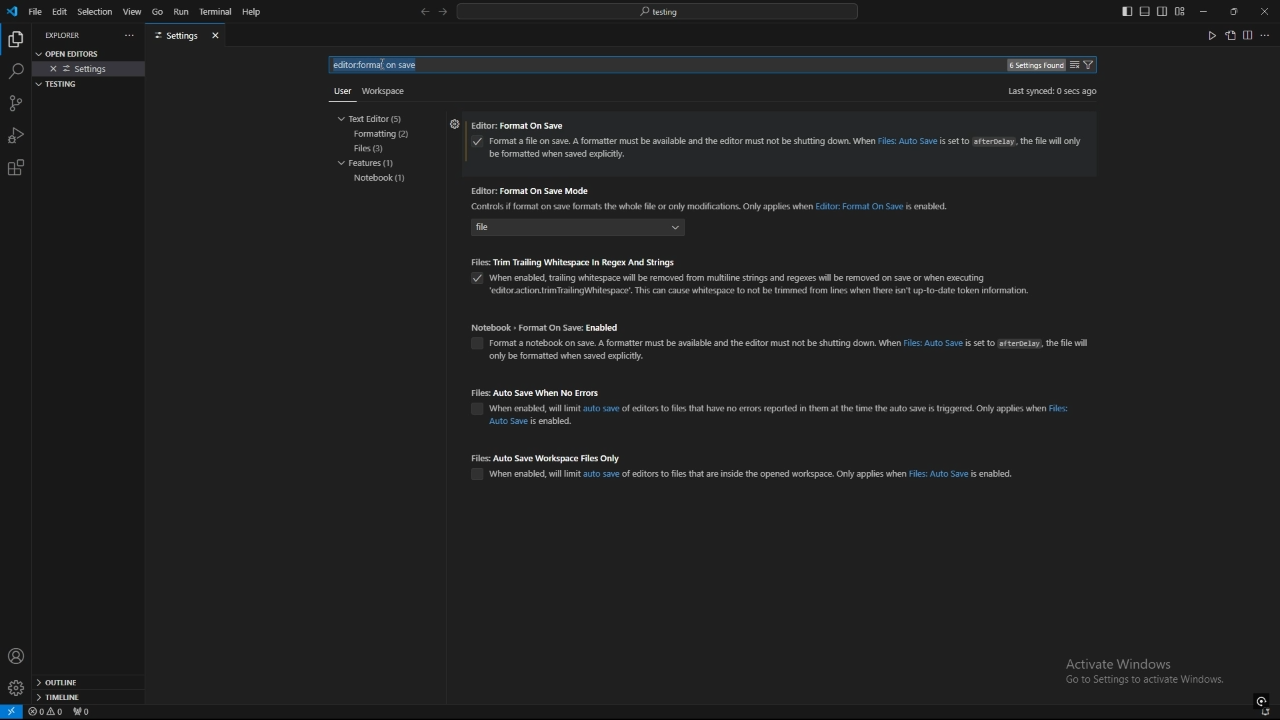 The height and width of the screenshot is (720, 1280). I want to click on Activate windows go to settings to activate windows, so click(1152, 673).